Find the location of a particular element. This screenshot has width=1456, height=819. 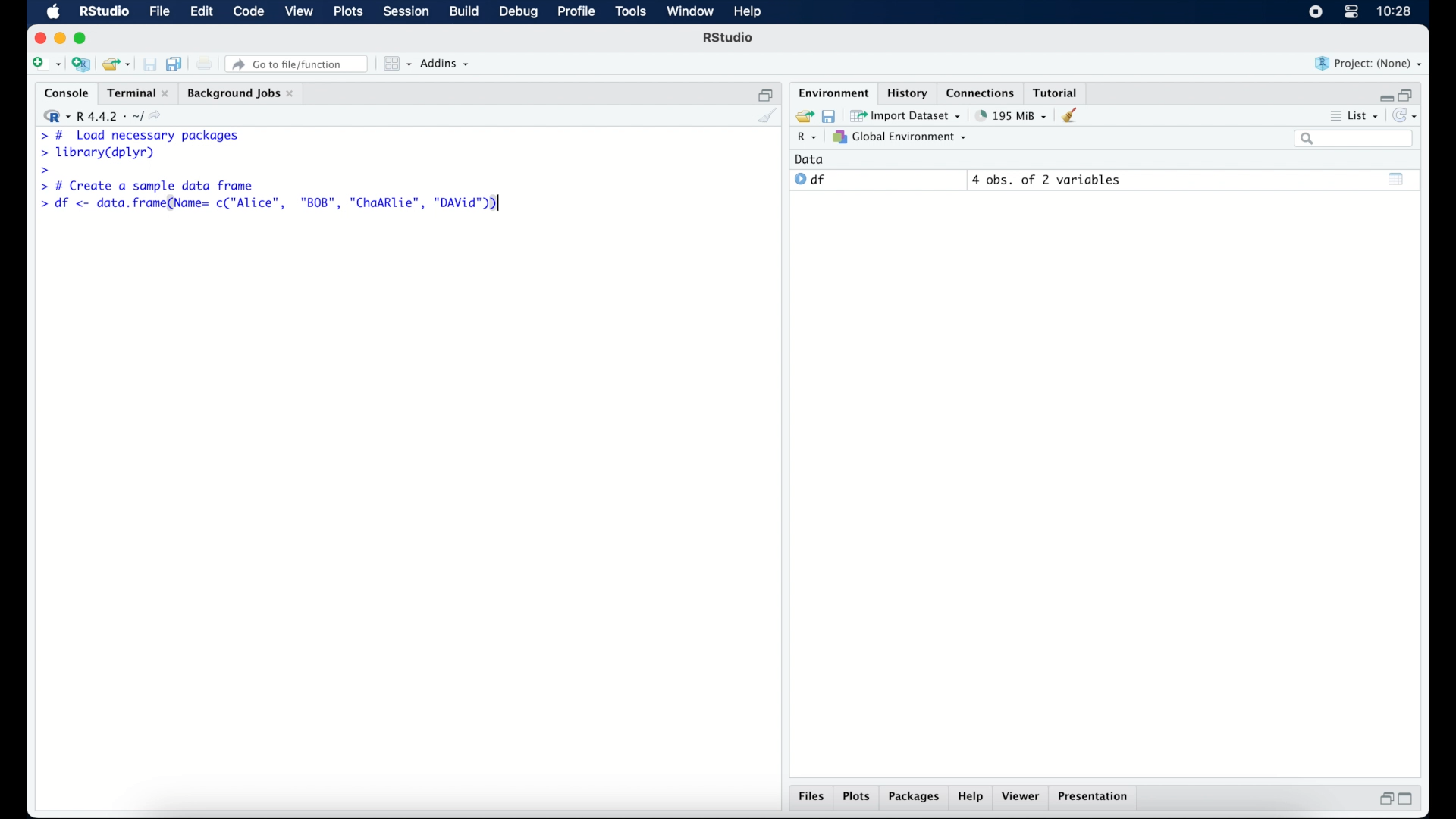

clear console is located at coordinates (766, 117).